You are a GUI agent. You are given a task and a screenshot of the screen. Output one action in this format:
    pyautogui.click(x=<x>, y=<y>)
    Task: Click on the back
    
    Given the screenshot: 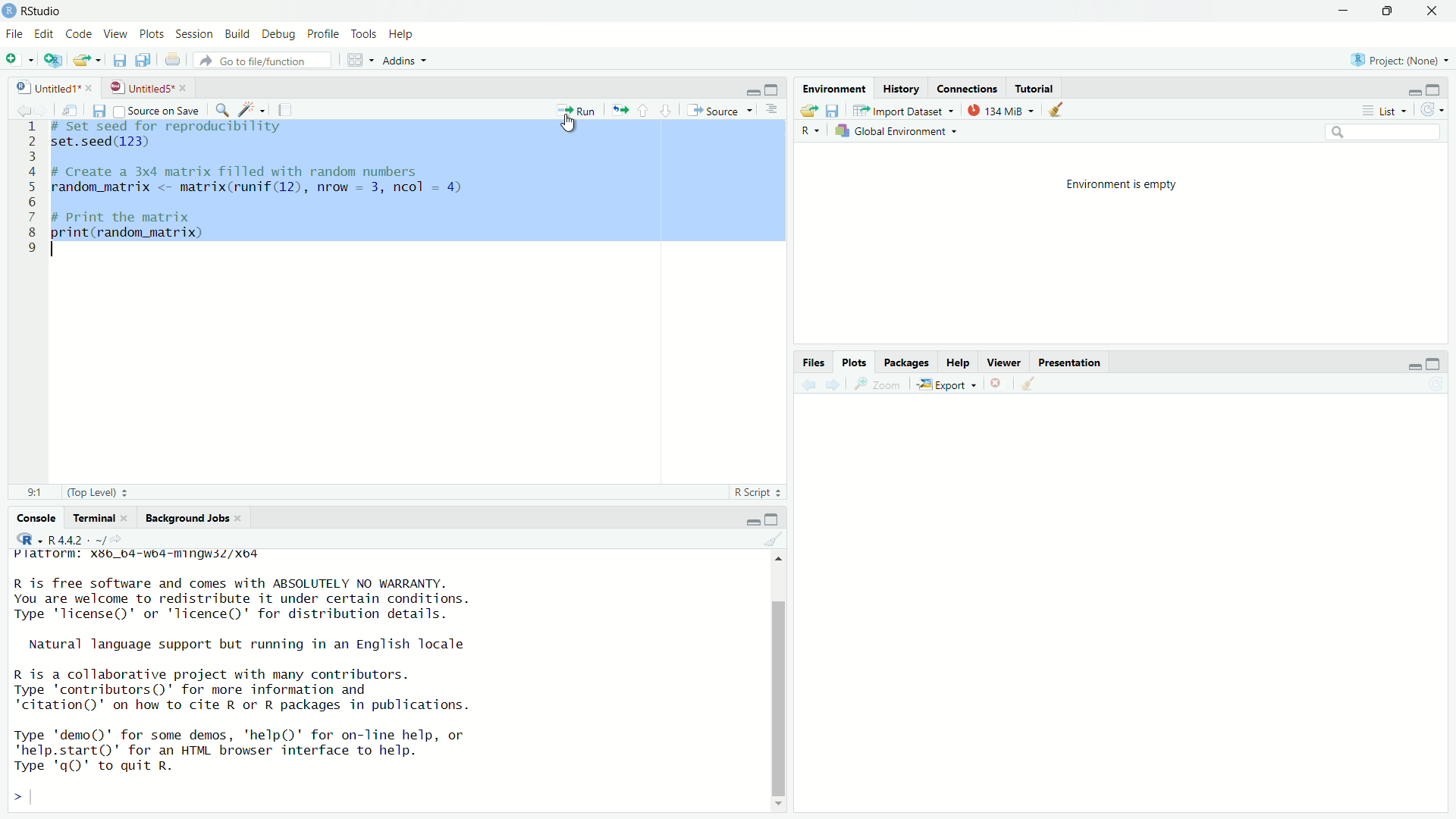 What is the action you would take?
    pyautogui.click(x=21, y=107)
    